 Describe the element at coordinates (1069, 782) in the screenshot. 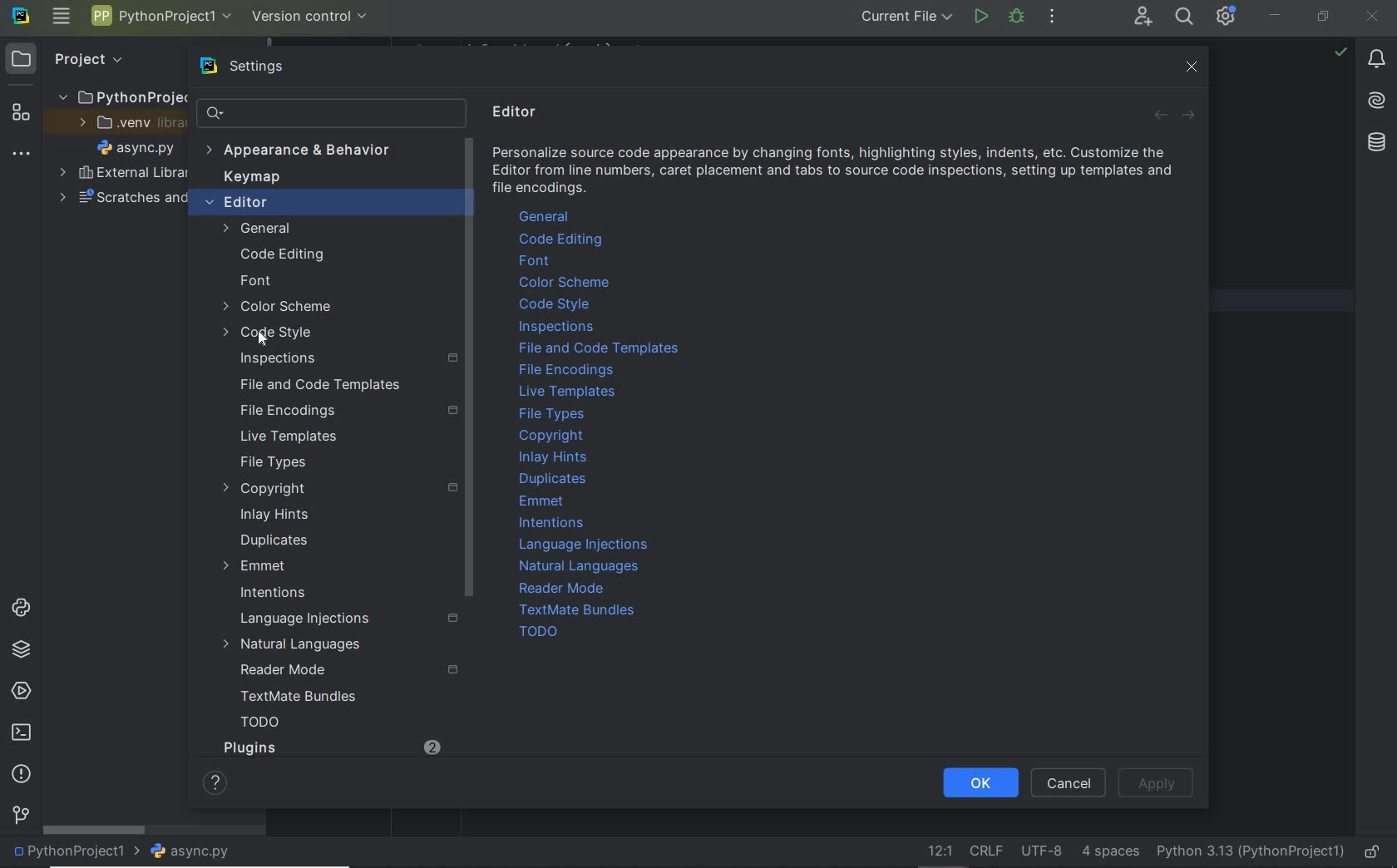

I see `CANCEL` at that location.